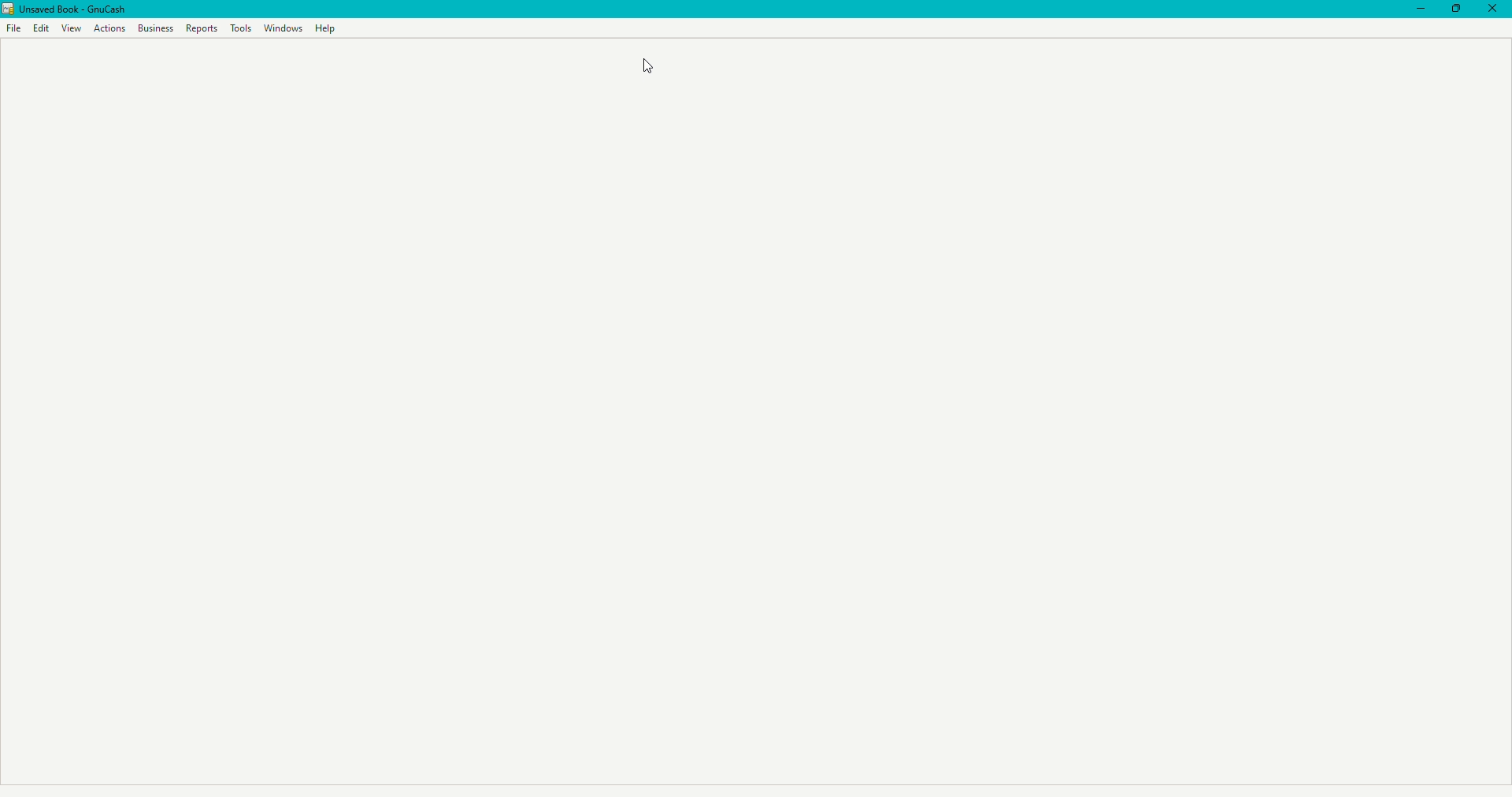 This screenshot has height=797, width=1512. I want to click on Edit, so click(40, 28).